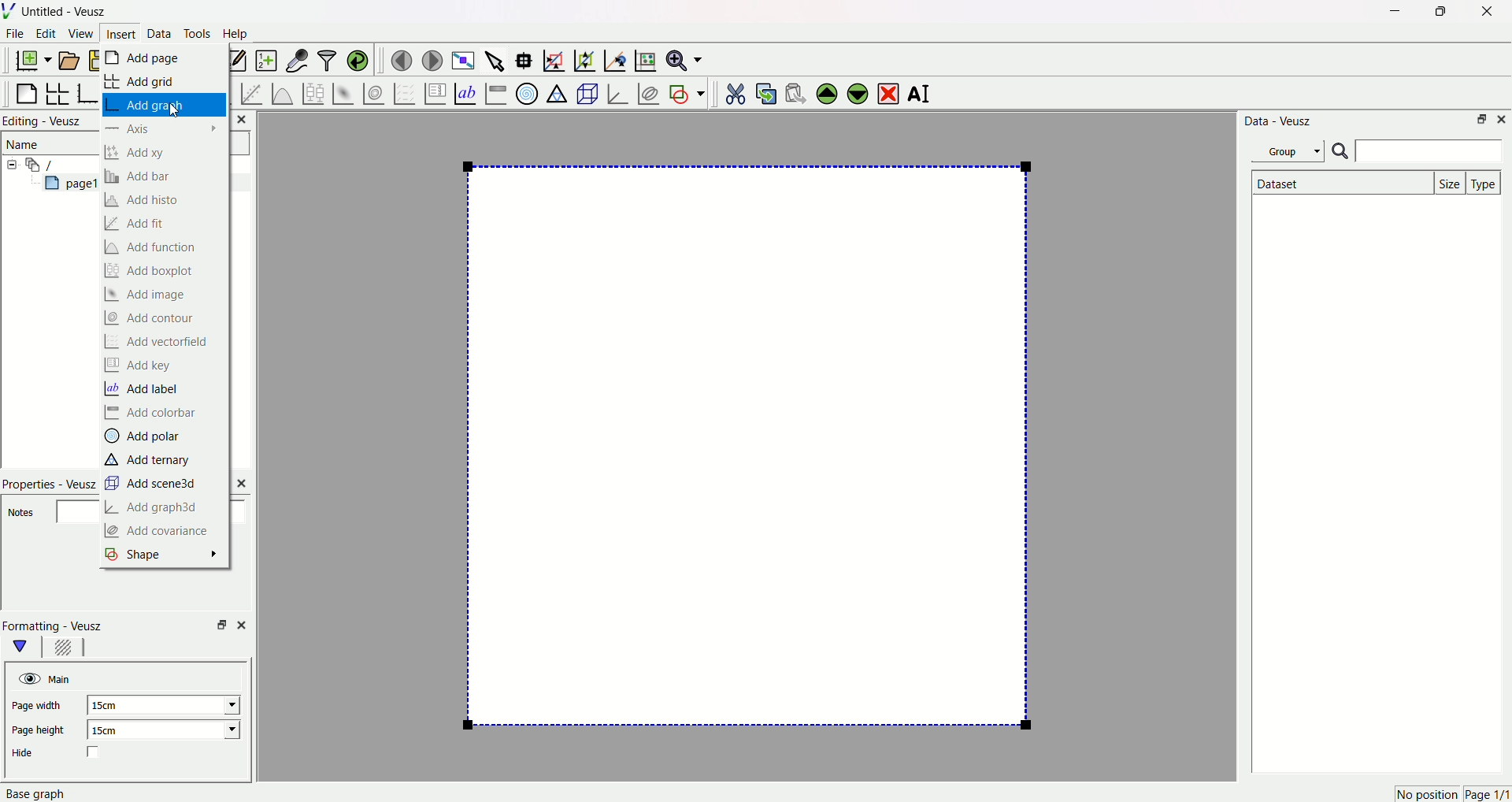 This screenshot has width=1512, height=802. Describe the element at coordinates (1487, 795) in the screenshot. I see `page 1/1` at that location.